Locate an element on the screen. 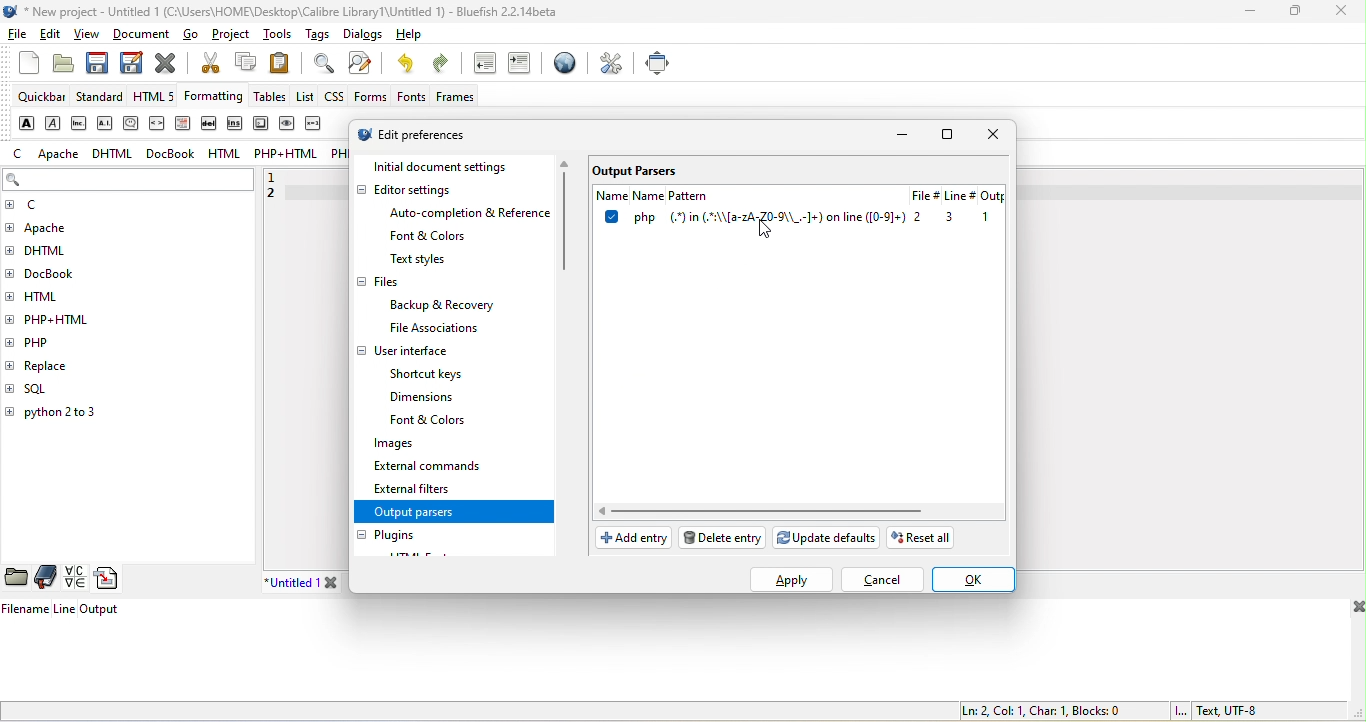 The width and height of the screenshot is (1366, 722). close is located at coordinates (990, 135).